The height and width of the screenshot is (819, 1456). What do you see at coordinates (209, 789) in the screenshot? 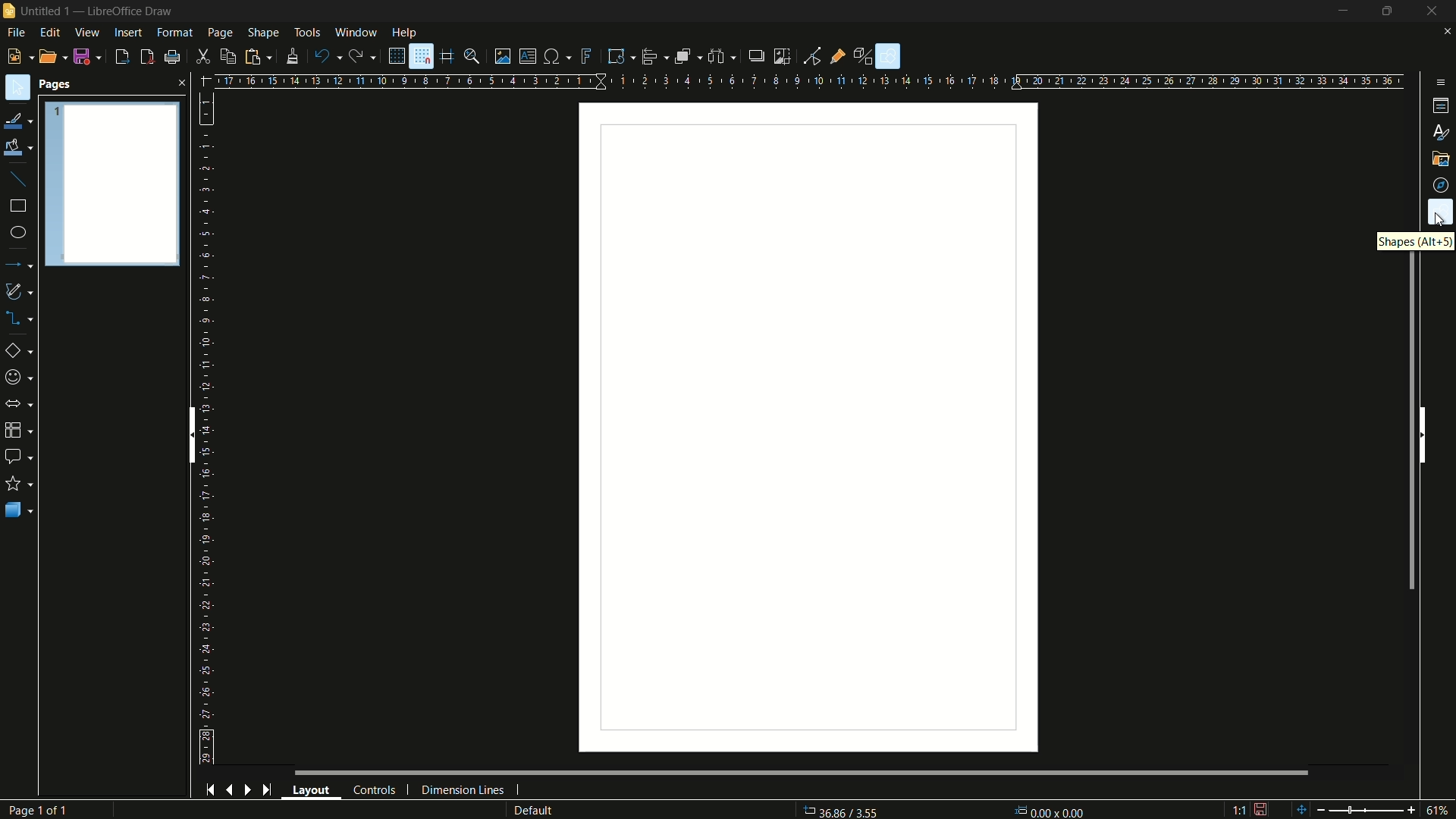
I see `start page` at bounding box center [209, 789].